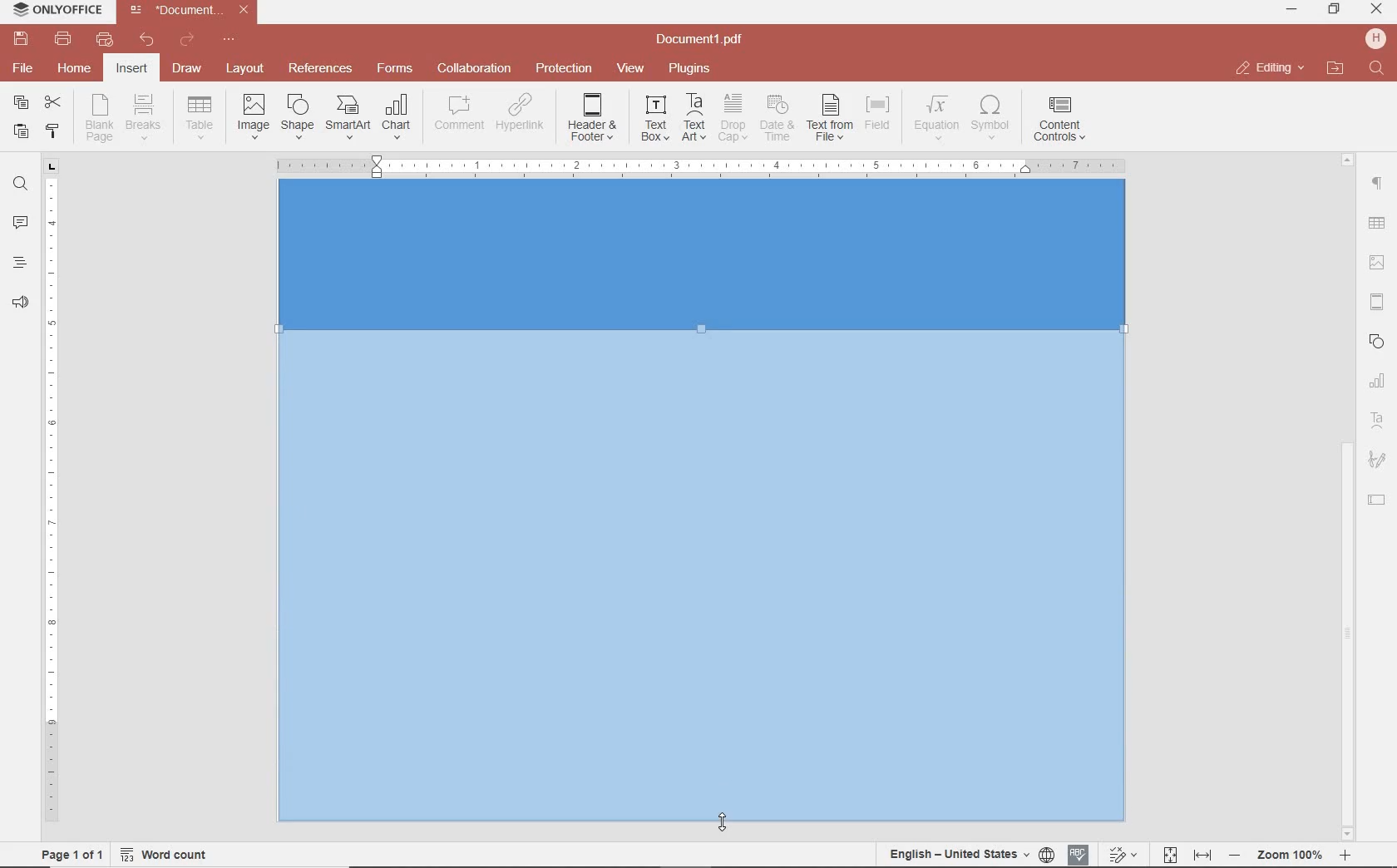  I want to click on layout, so click(248, 70).